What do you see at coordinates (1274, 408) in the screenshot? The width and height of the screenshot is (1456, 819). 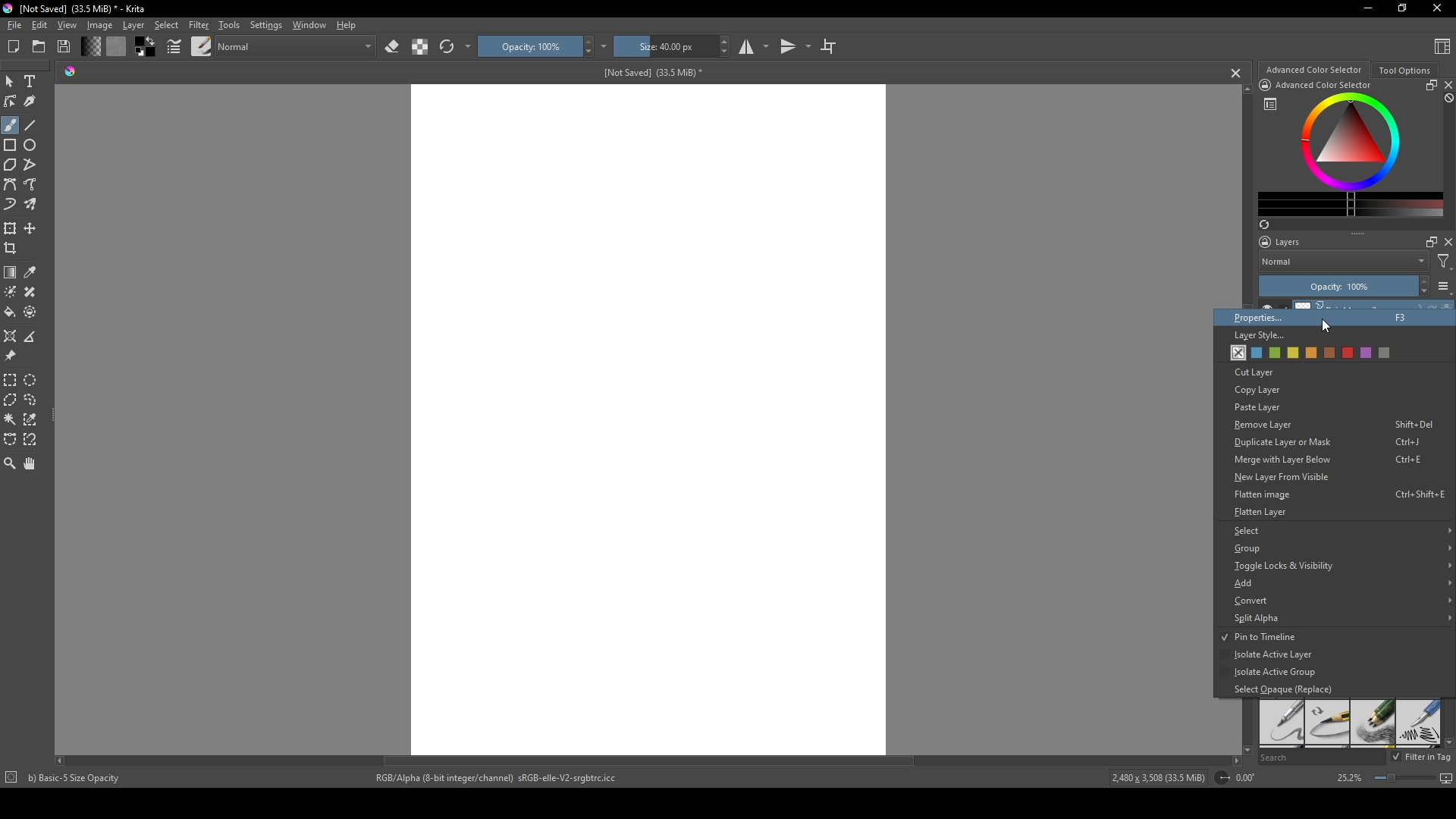 I see `Paste Layer` at bounding box center [1274, 408].